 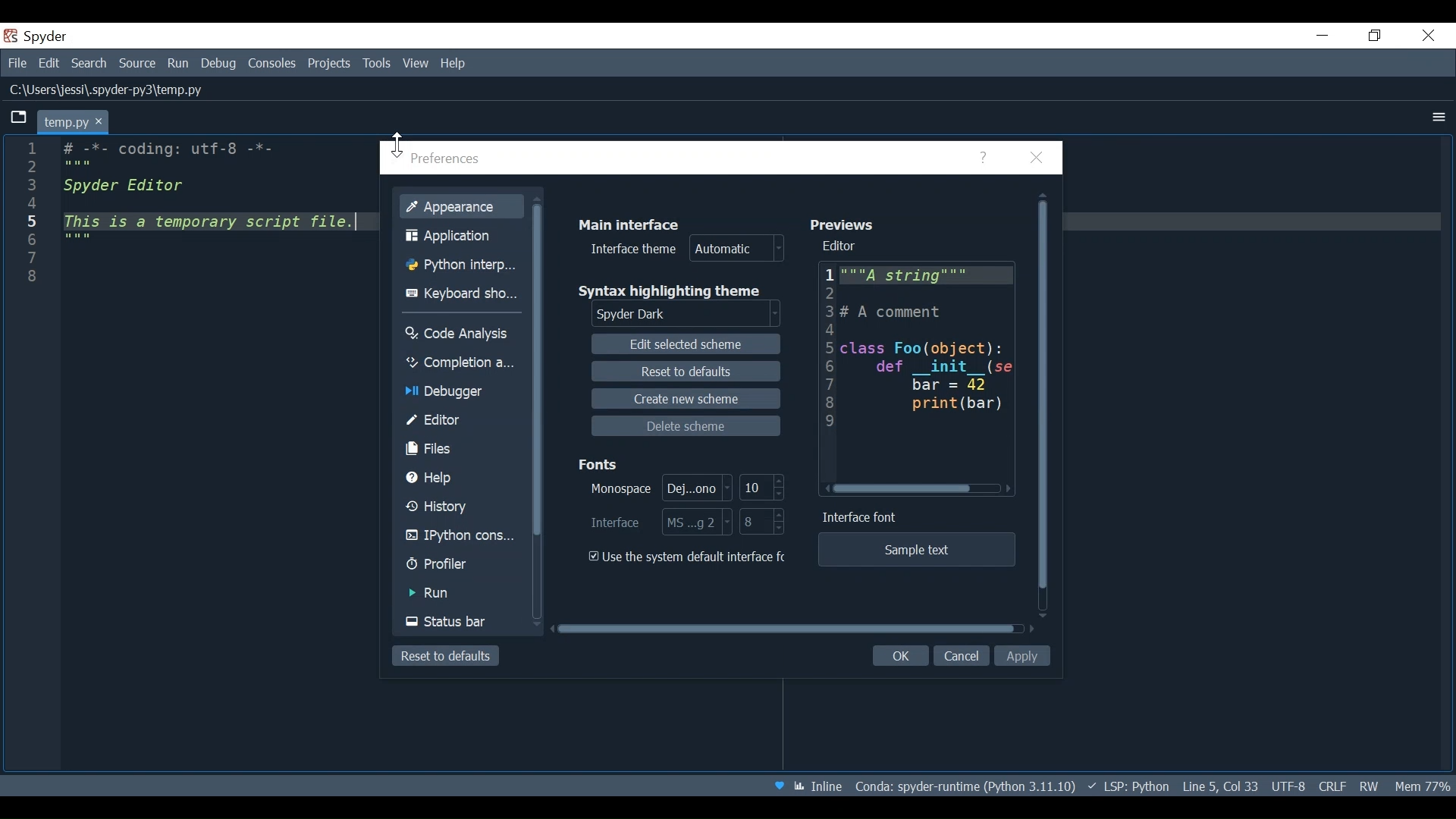 What do you see at coordinates (1291, 785) in the screenshot?
I see `File Encoding` at bounding box center [1291, 785].